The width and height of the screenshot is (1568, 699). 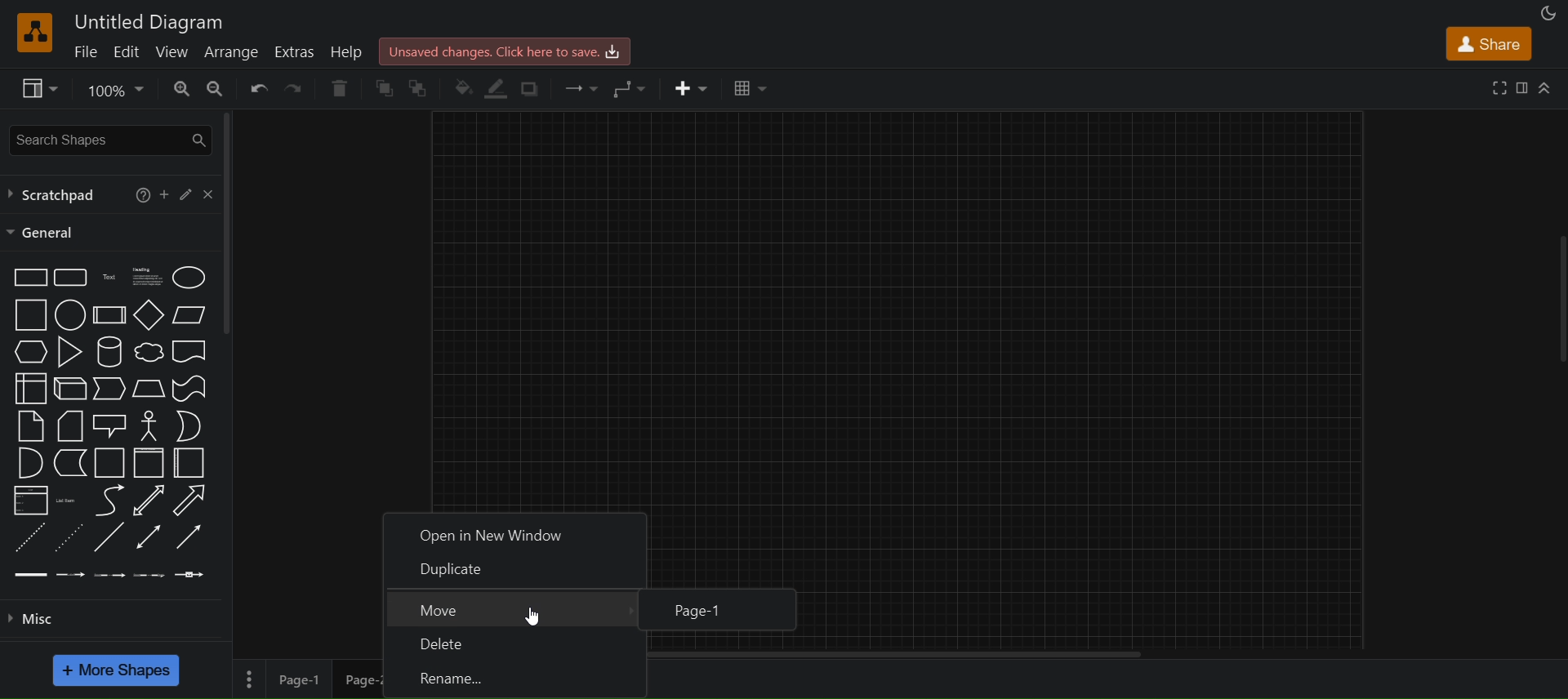 What do you see at coordinates (519, 644) in the screenshot?
I see `delete` at bounding box center [519, 644].